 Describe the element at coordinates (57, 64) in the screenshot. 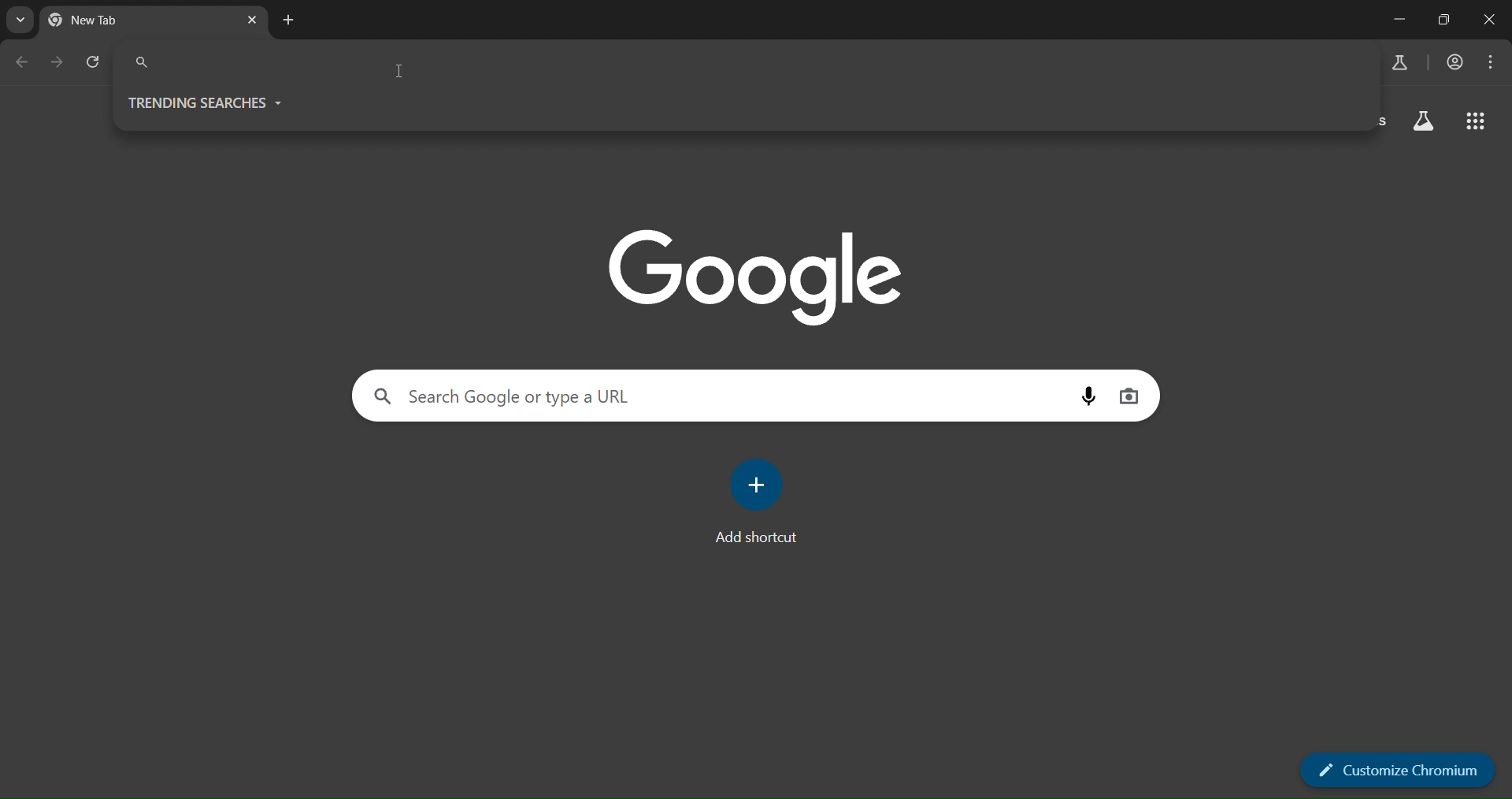

I see `go forward one page` at that location.